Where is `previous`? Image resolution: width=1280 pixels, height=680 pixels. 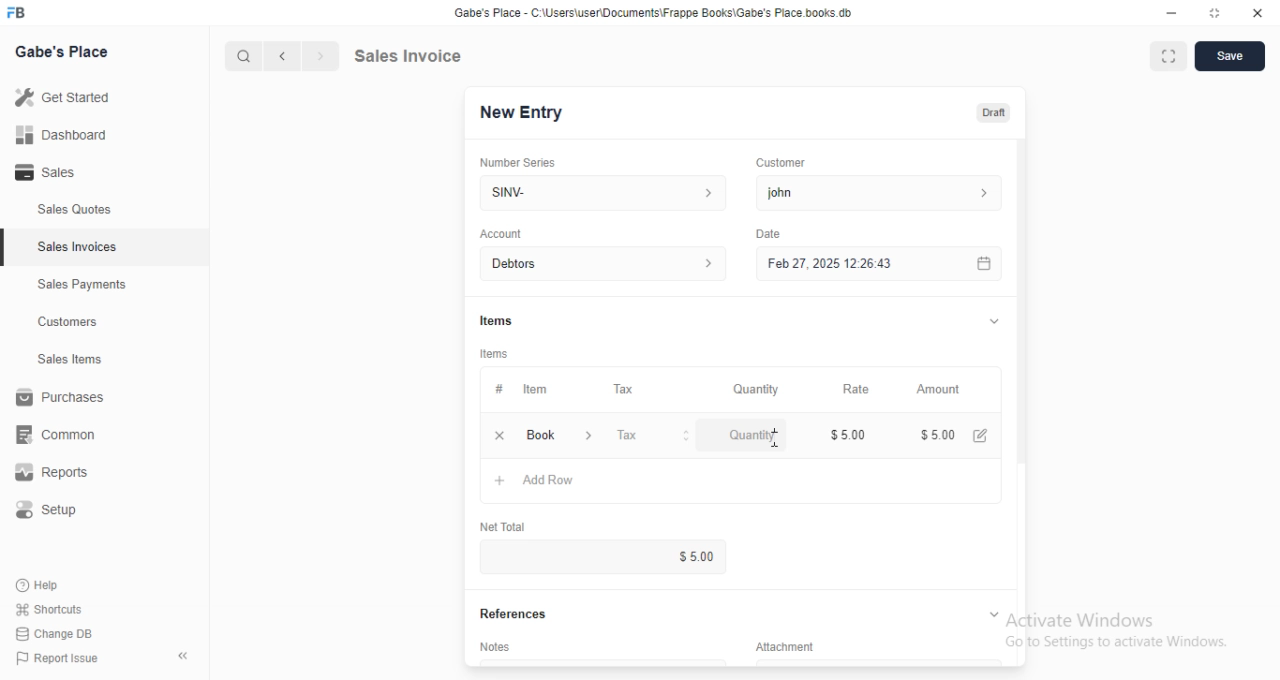
previous is located at coordinates (284, 54).